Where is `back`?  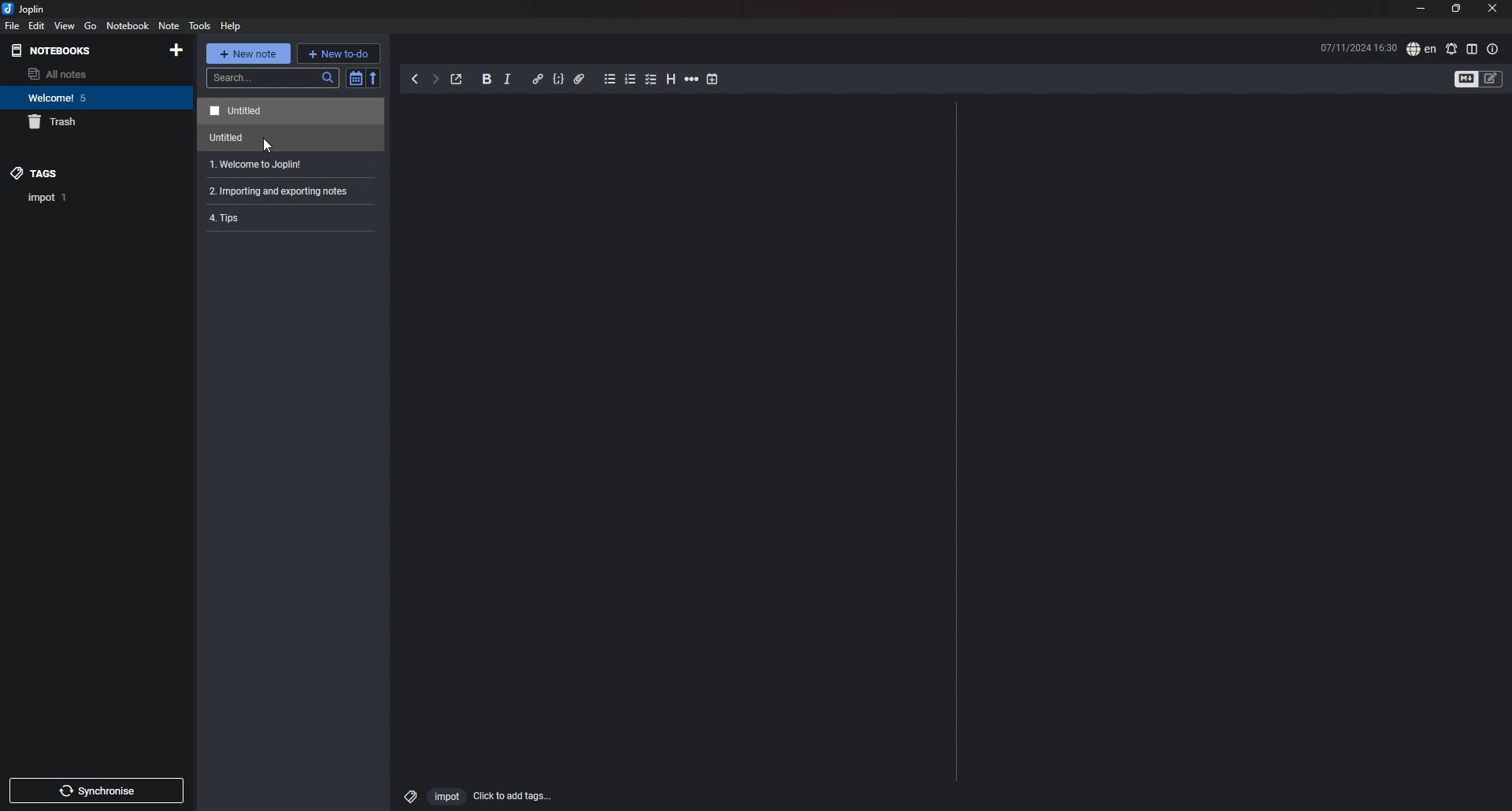
back is located at coordinates (417, 80).